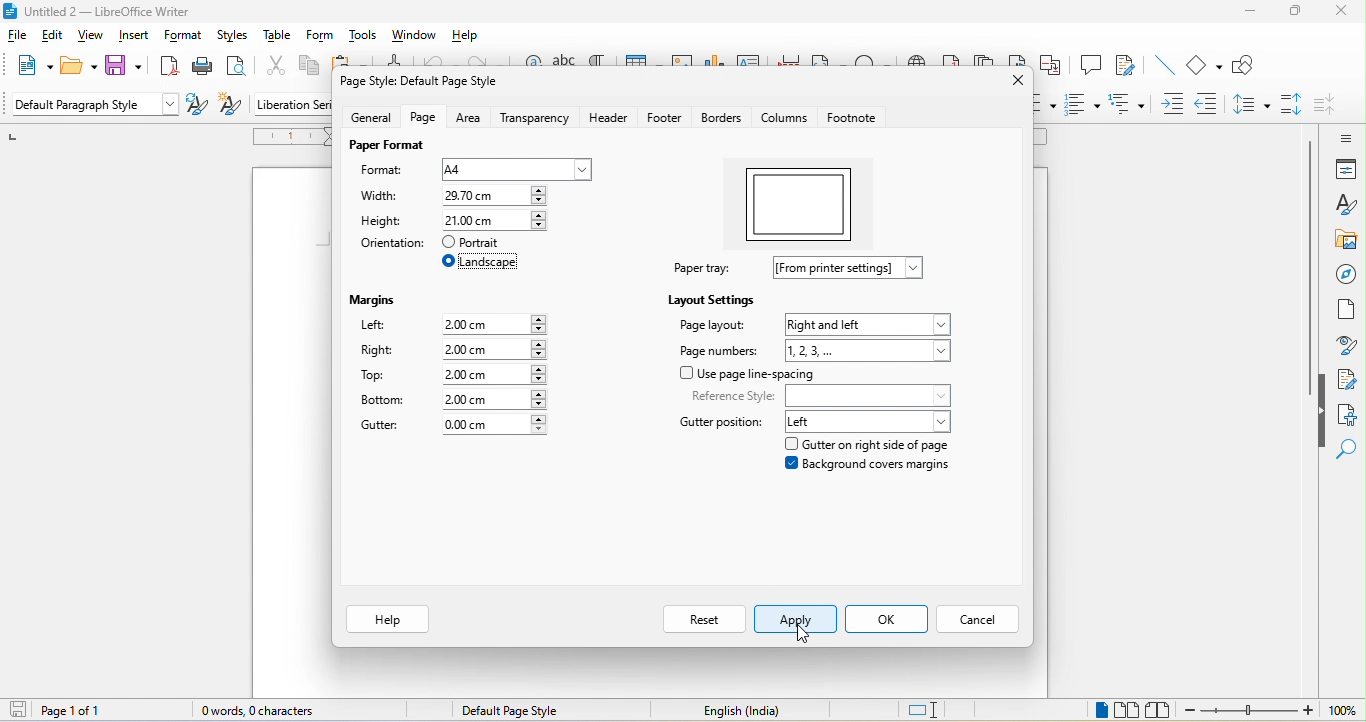  Describe the element at coordinates (467, 118) in the screenshot. I see `area` at that location.